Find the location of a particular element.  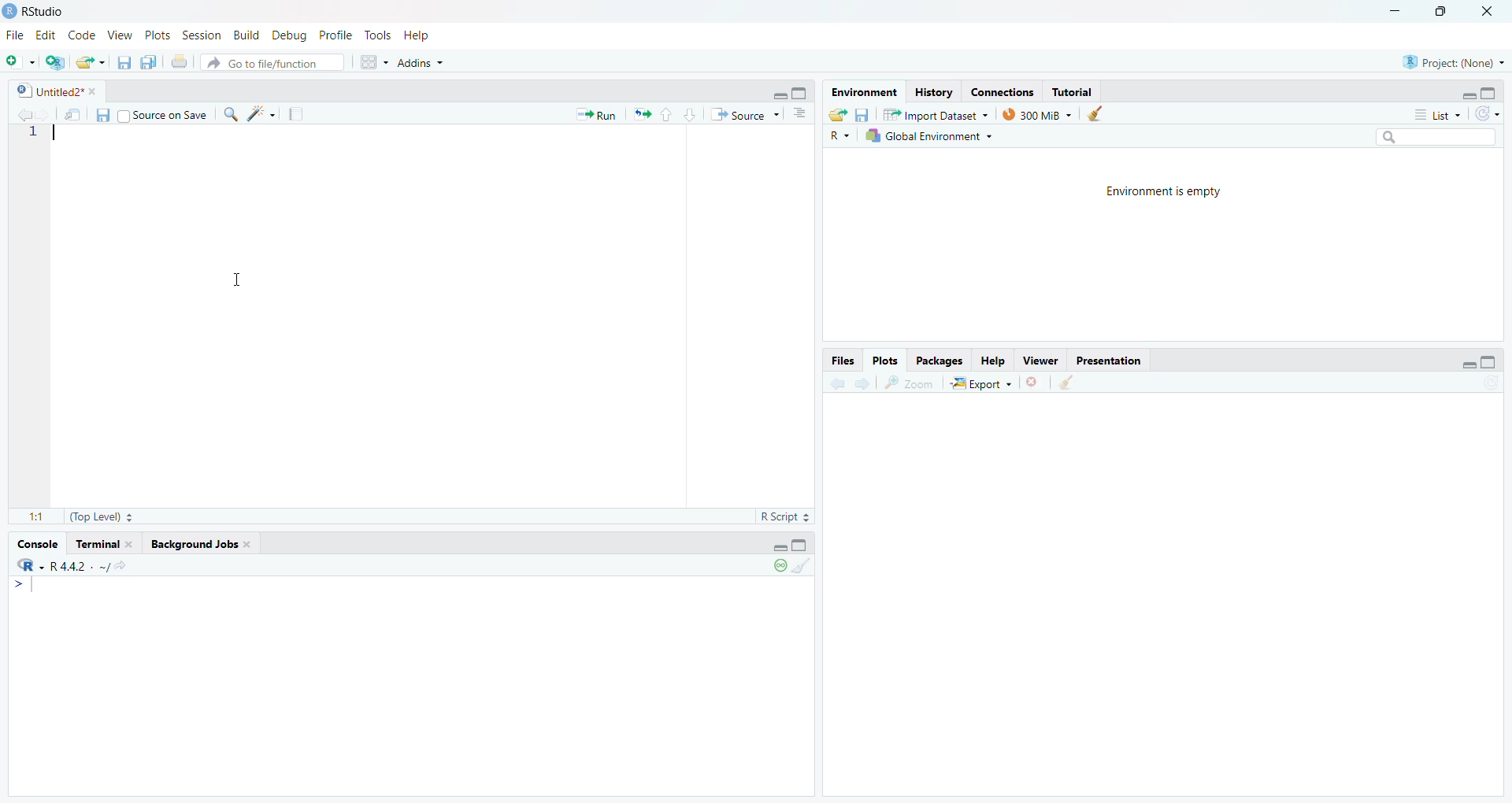

Session is located at coordinates (202, 35).